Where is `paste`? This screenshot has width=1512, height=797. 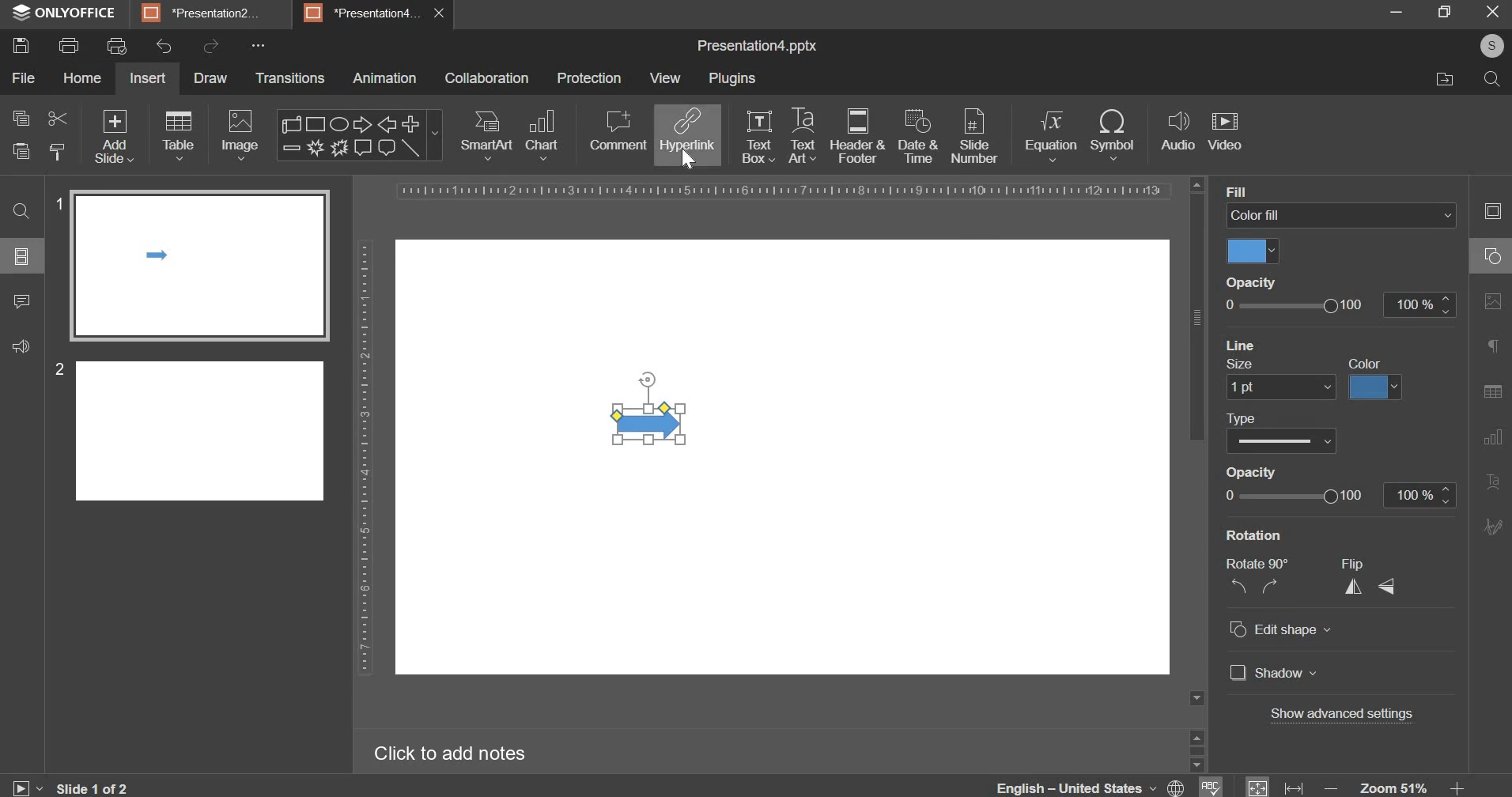 paste is located at coordinates (19, 151).